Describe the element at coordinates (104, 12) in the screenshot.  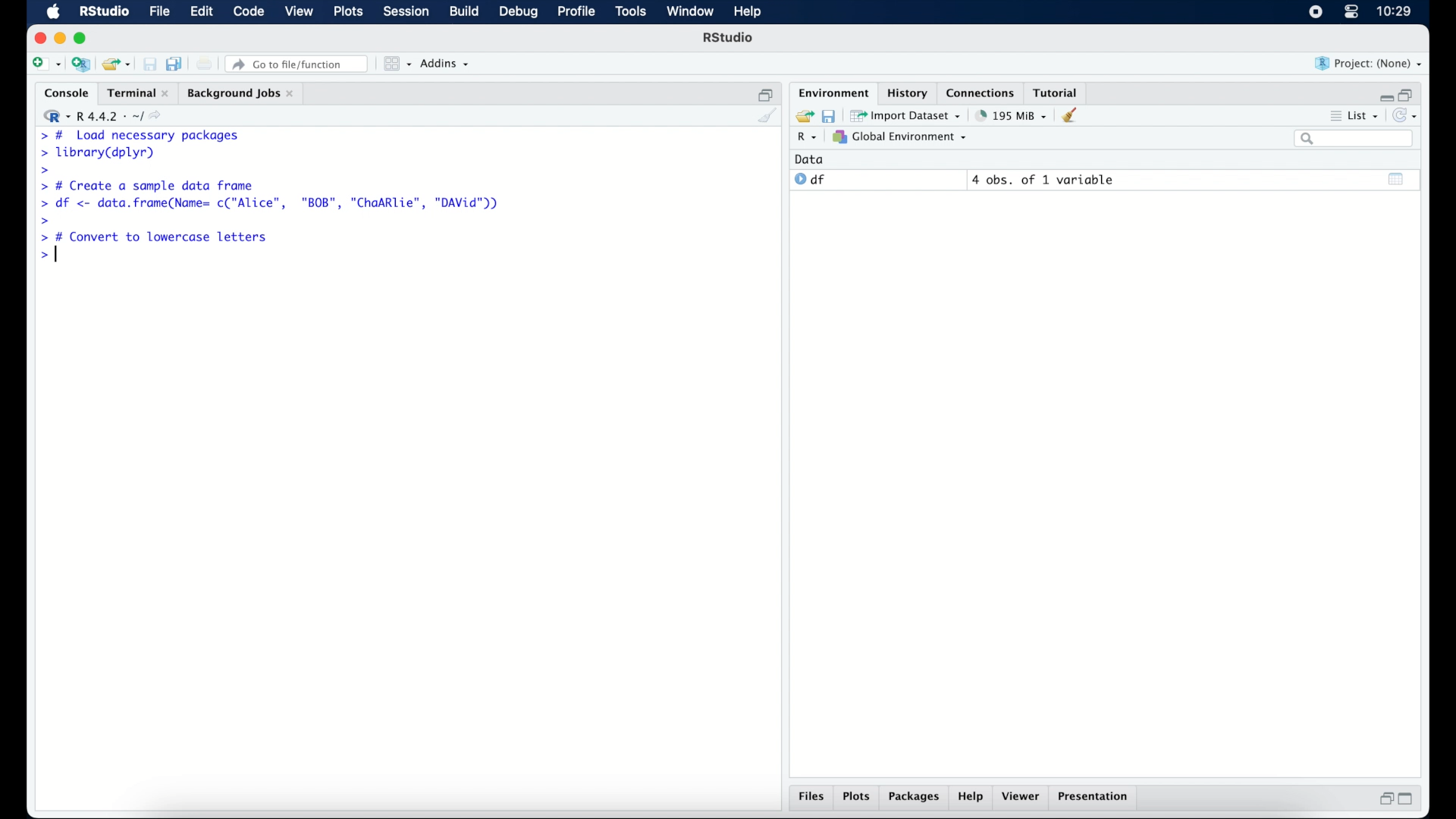
I see `R Studio` at that location.